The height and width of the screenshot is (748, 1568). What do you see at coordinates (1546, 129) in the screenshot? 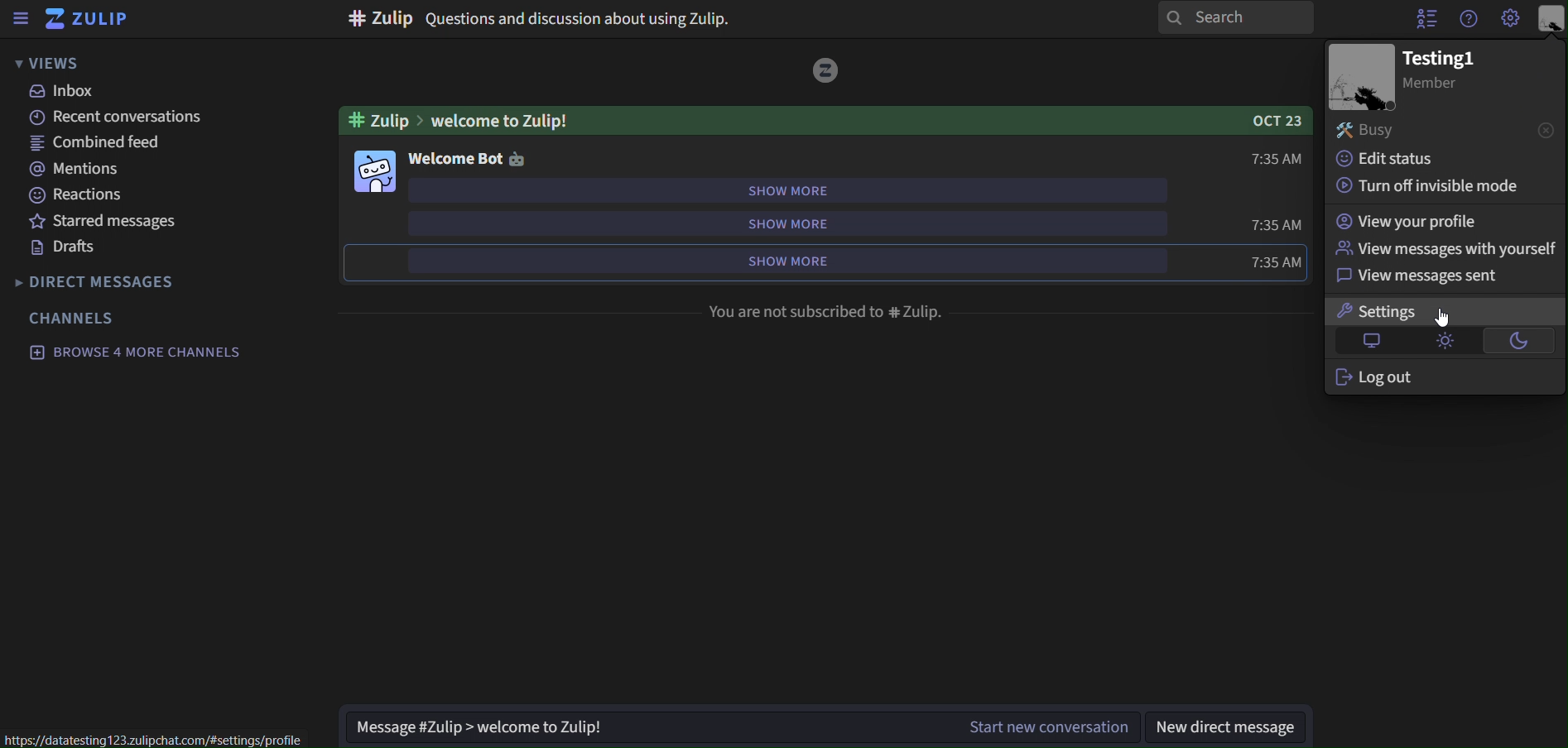
I see `close` at bounding box center [1546, 129].